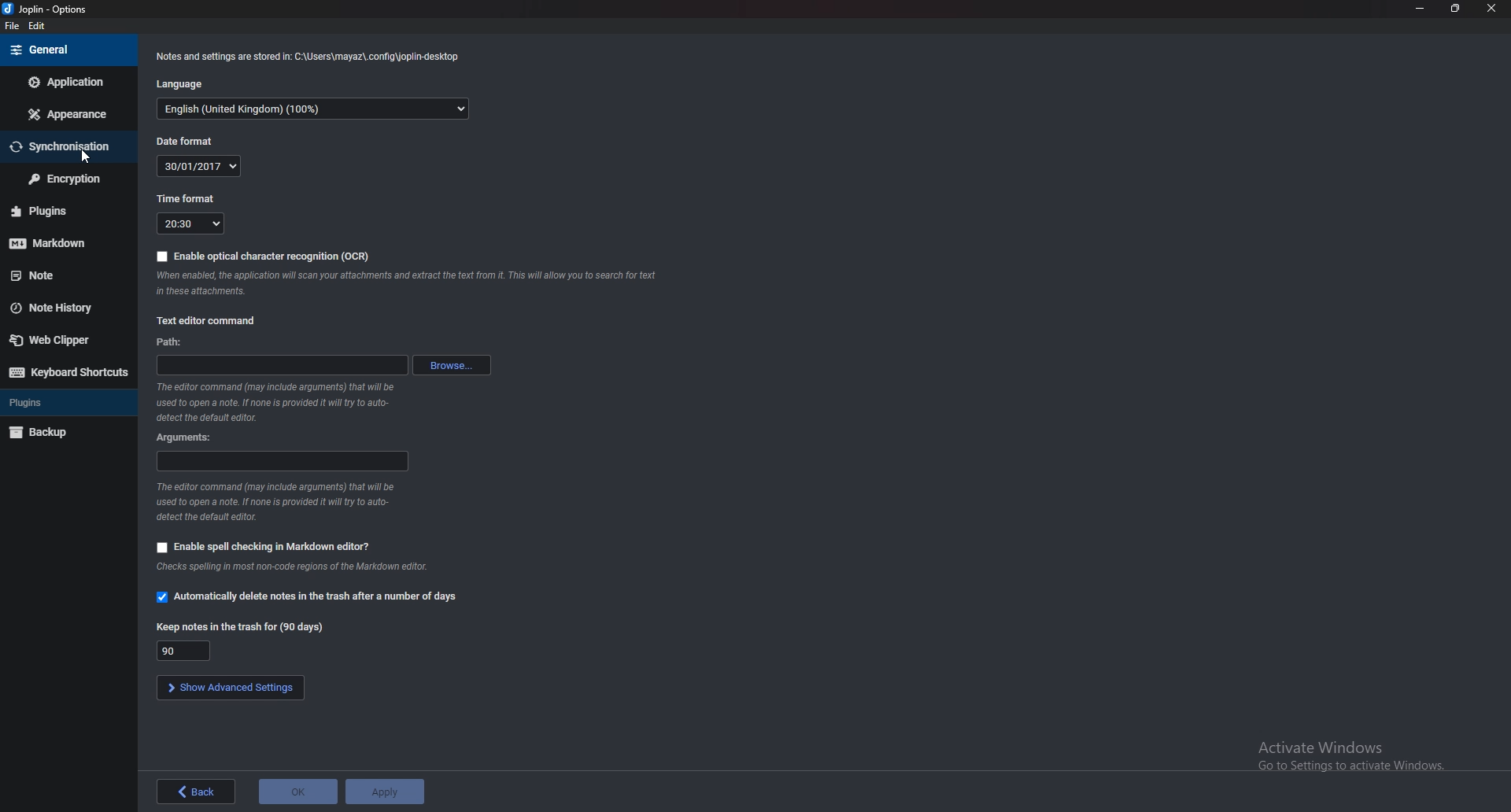 The width and height of the screenshot is (1511, 812). I want to click on info, so click(277, 501).